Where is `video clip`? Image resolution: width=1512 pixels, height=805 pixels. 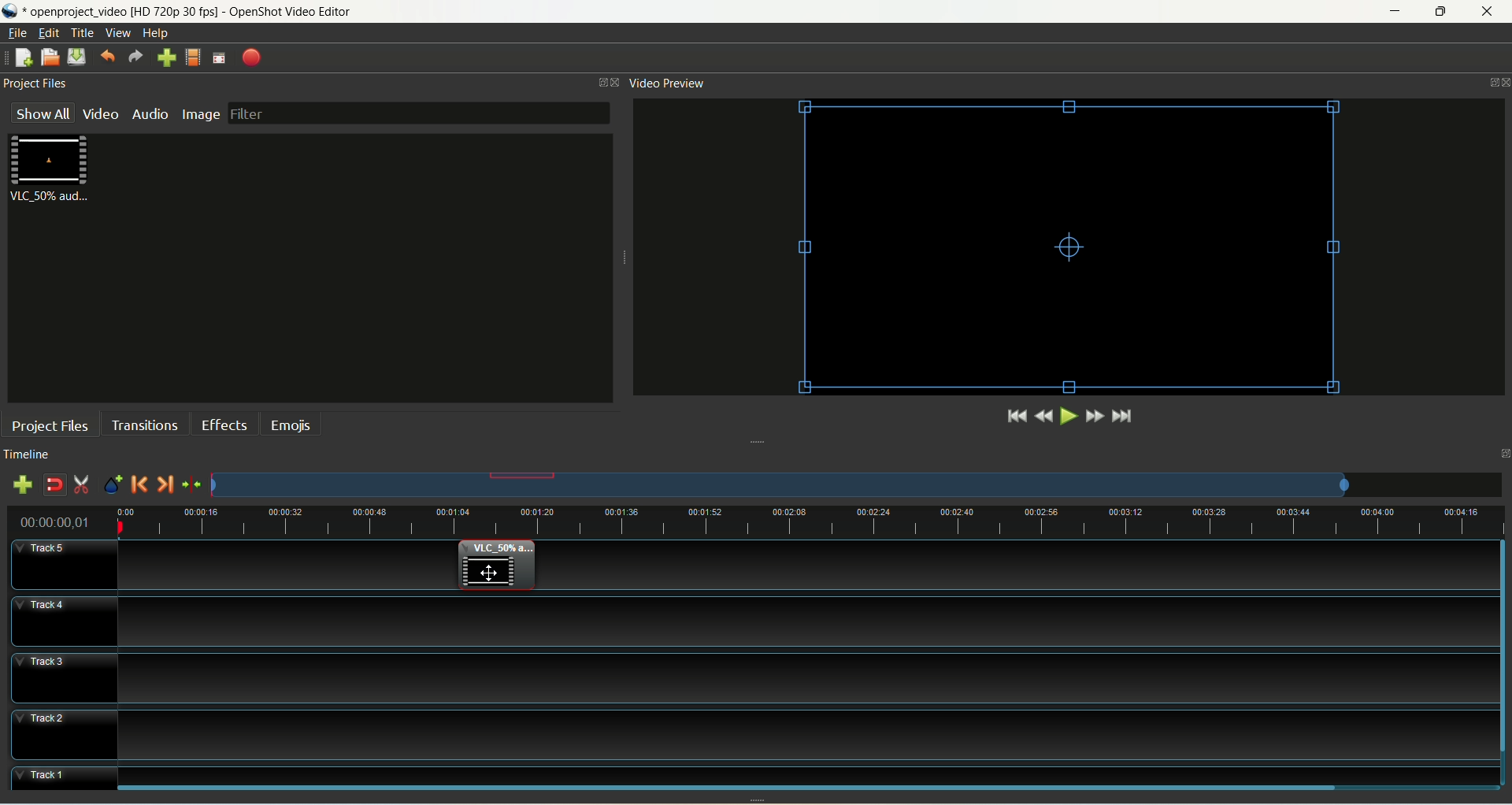
video clip is located at coordinates (53, 169).